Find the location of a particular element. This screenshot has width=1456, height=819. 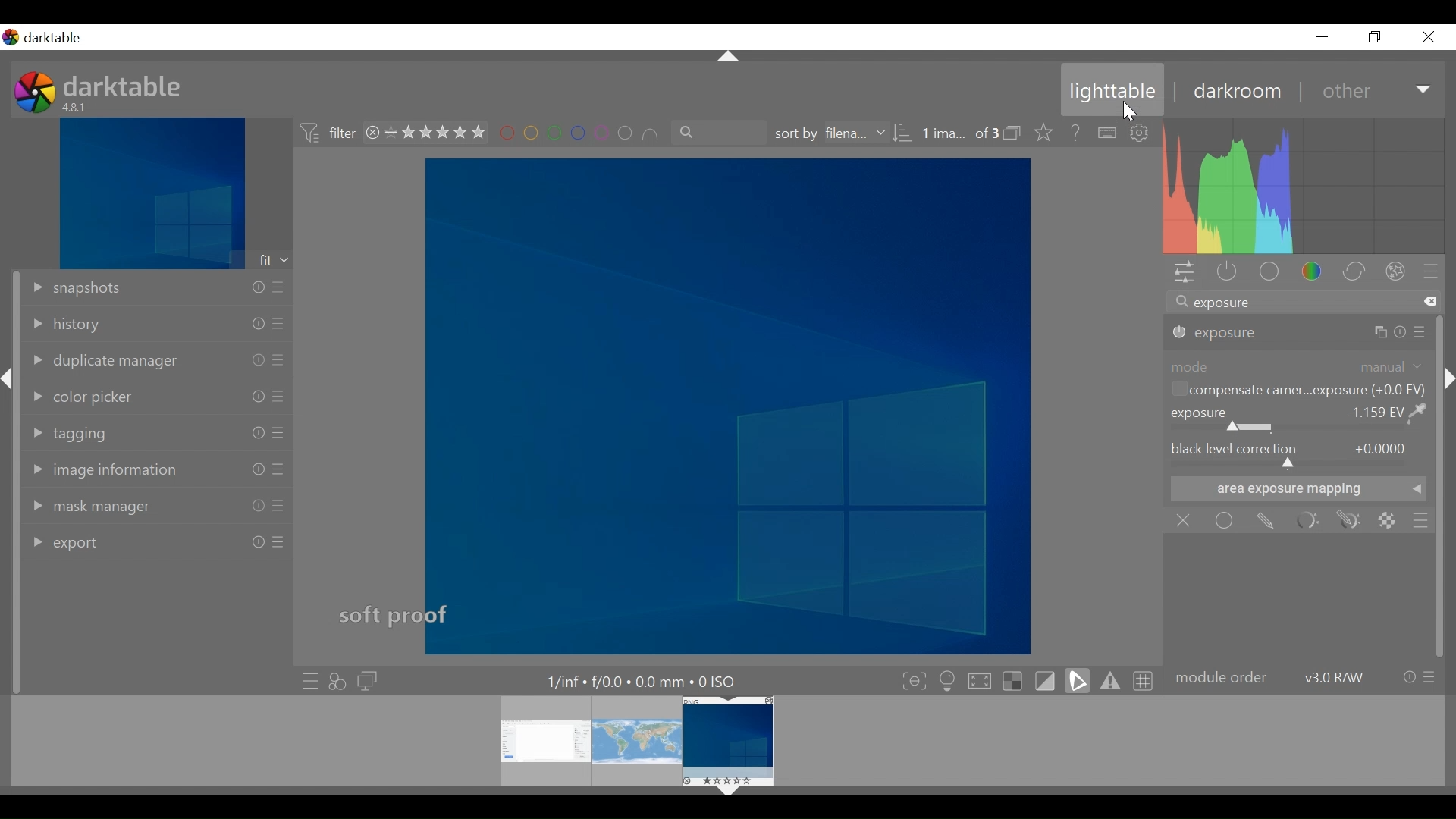

info is located at coordinates (259, 469).